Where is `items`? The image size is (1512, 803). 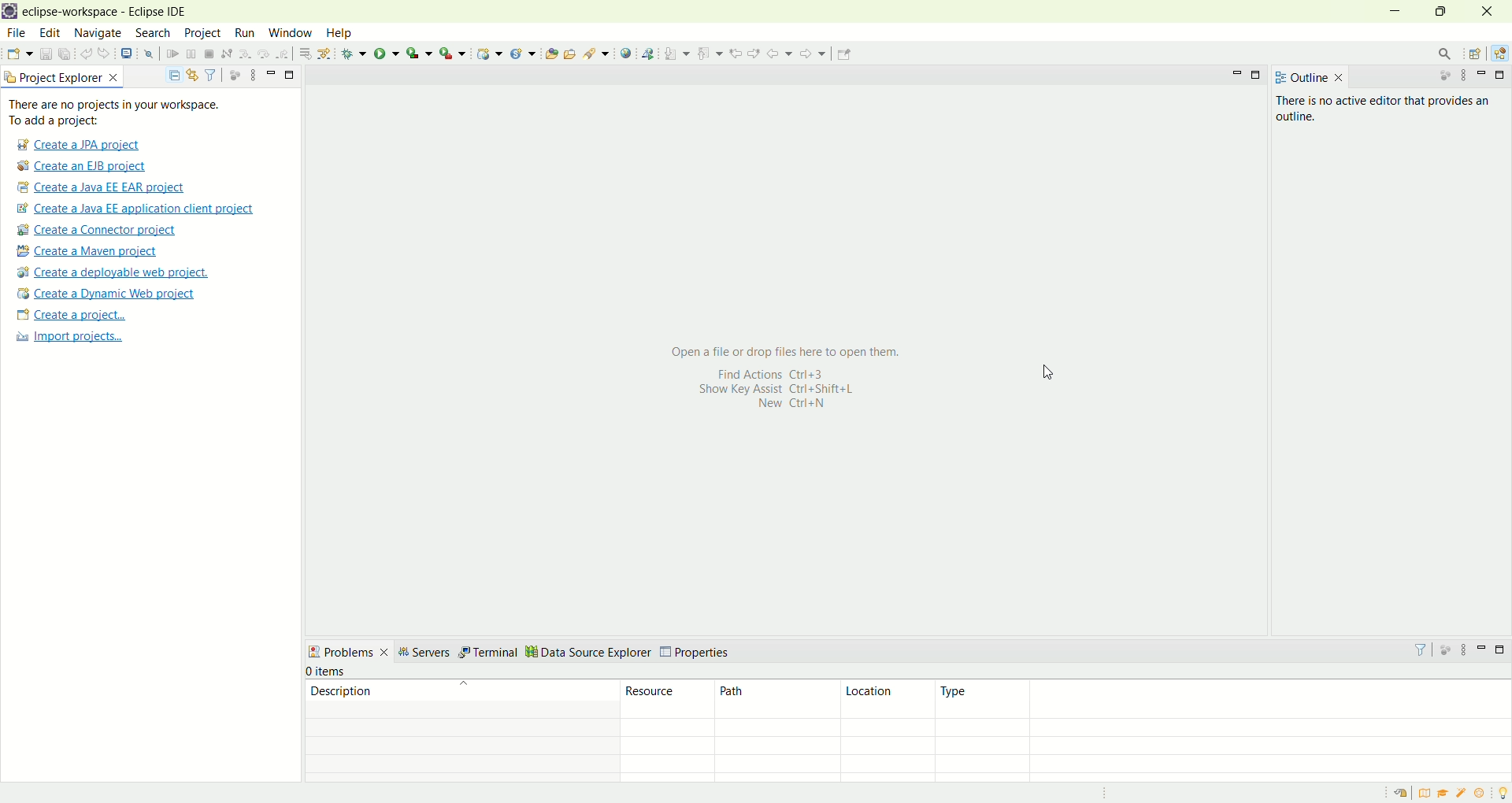 items is located at coordinates (327, 671).